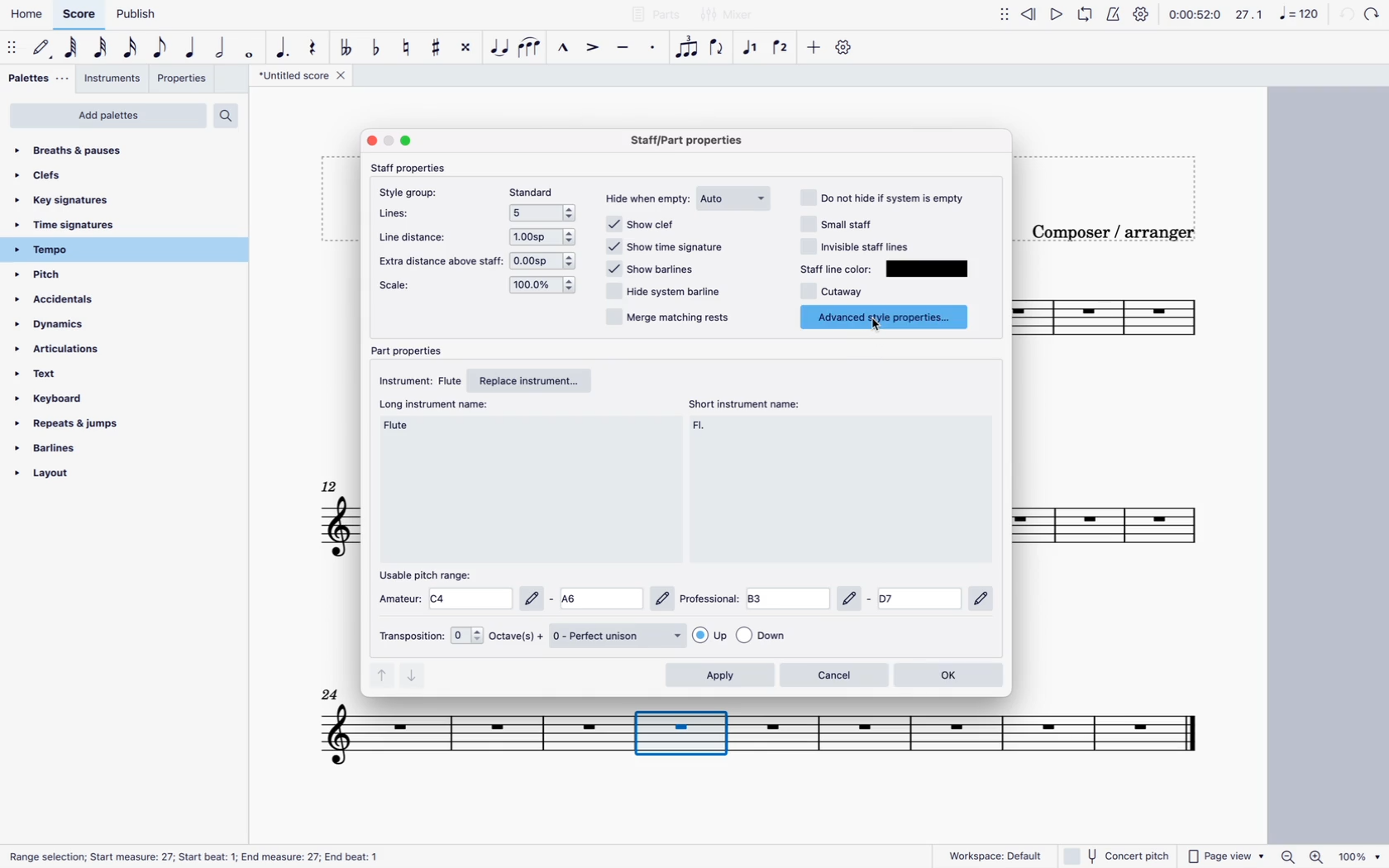 This screenshot has width=1389, height=868. Describe the element at coordinates (996, 855) in the screenshot. I see `workspace` at that location.